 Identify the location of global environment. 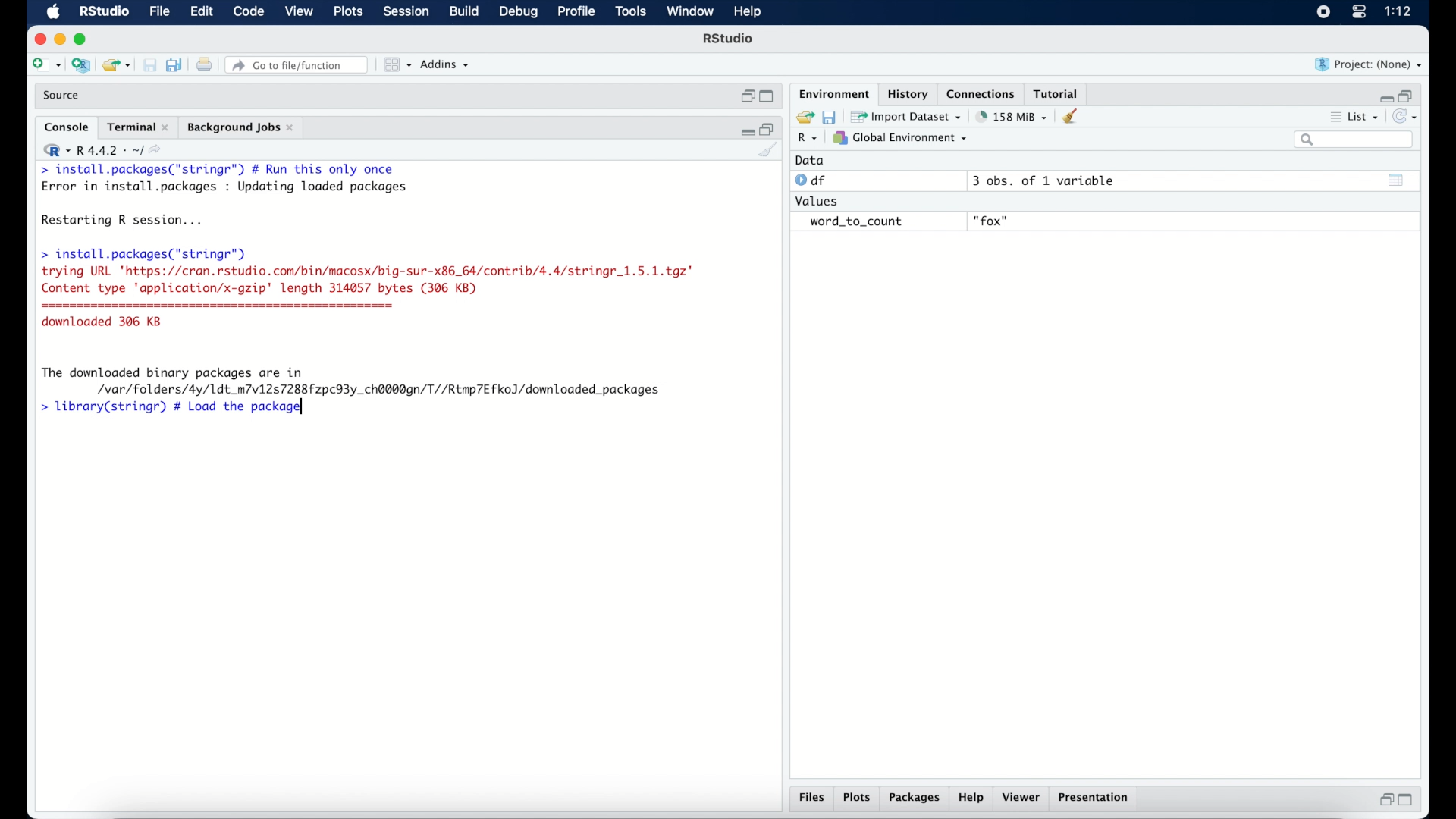
(900, 137).